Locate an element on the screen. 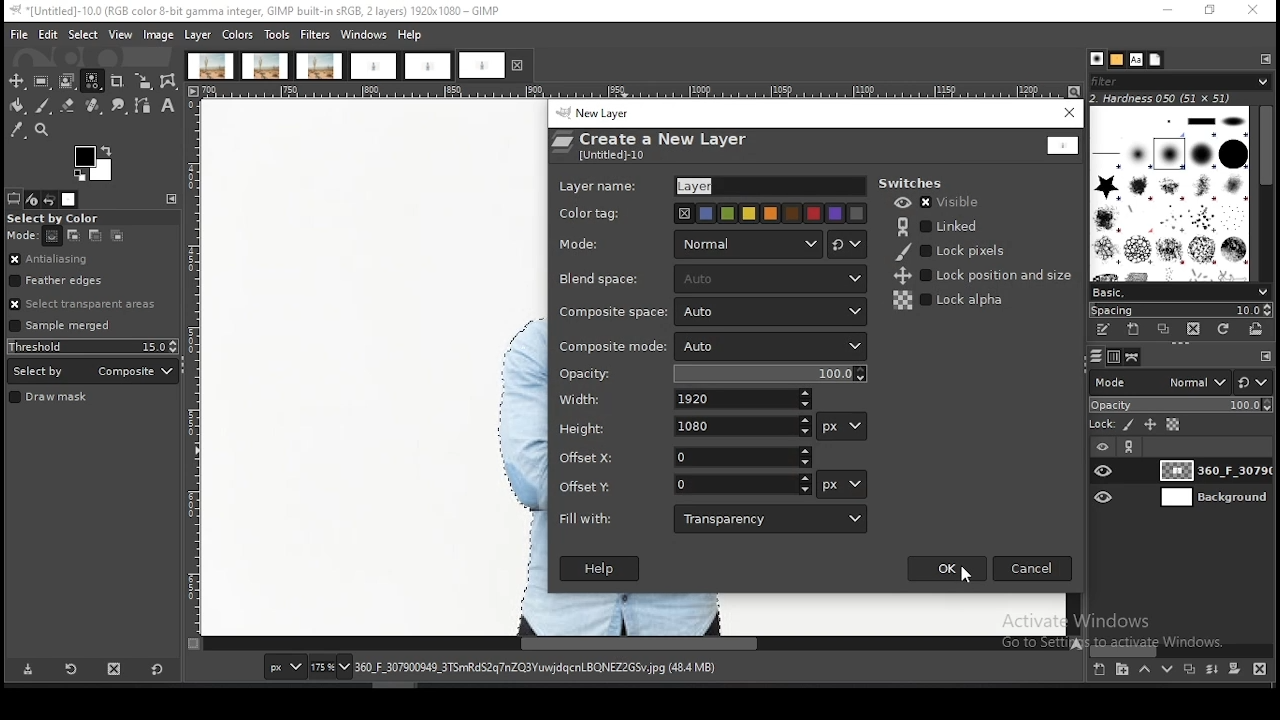 Image resolution: width=1280 pixels, height=720 pixels. image is located at coordinates (158, 36).